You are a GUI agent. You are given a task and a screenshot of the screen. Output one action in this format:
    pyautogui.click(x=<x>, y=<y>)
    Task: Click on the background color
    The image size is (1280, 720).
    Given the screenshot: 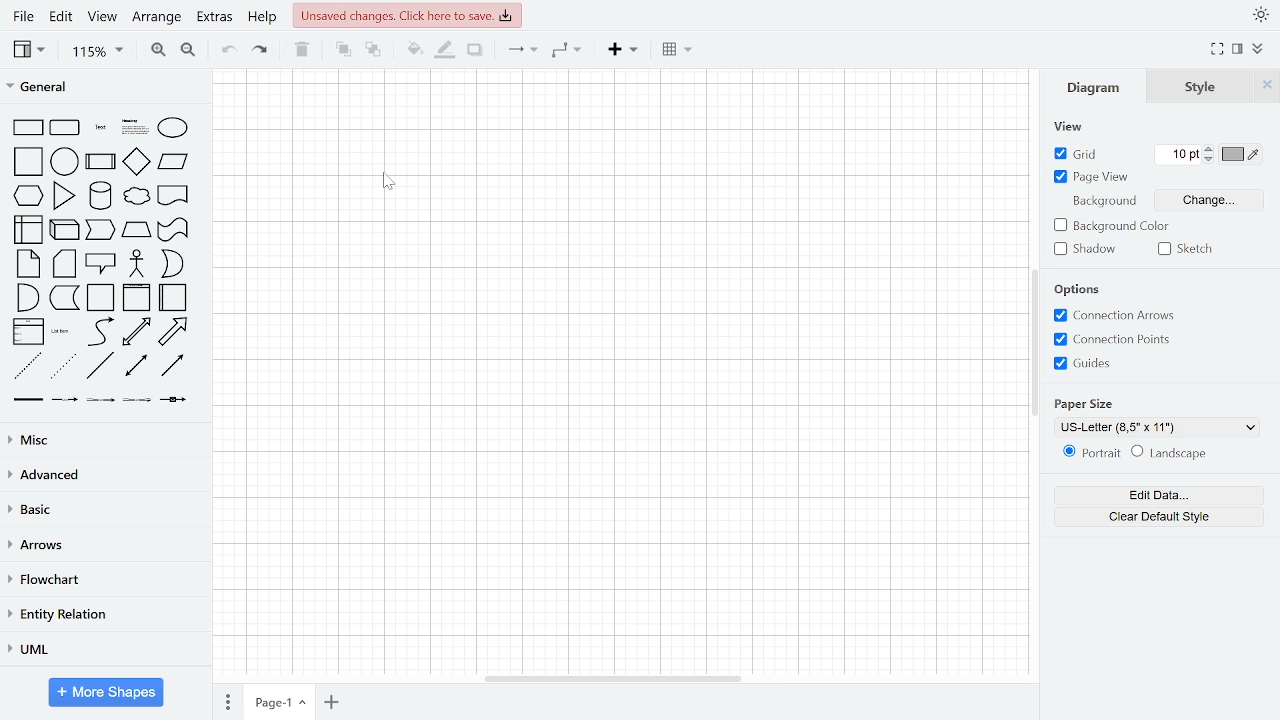 What is the action you would take?
    pyautogui.click(x=1112, y=226)
    